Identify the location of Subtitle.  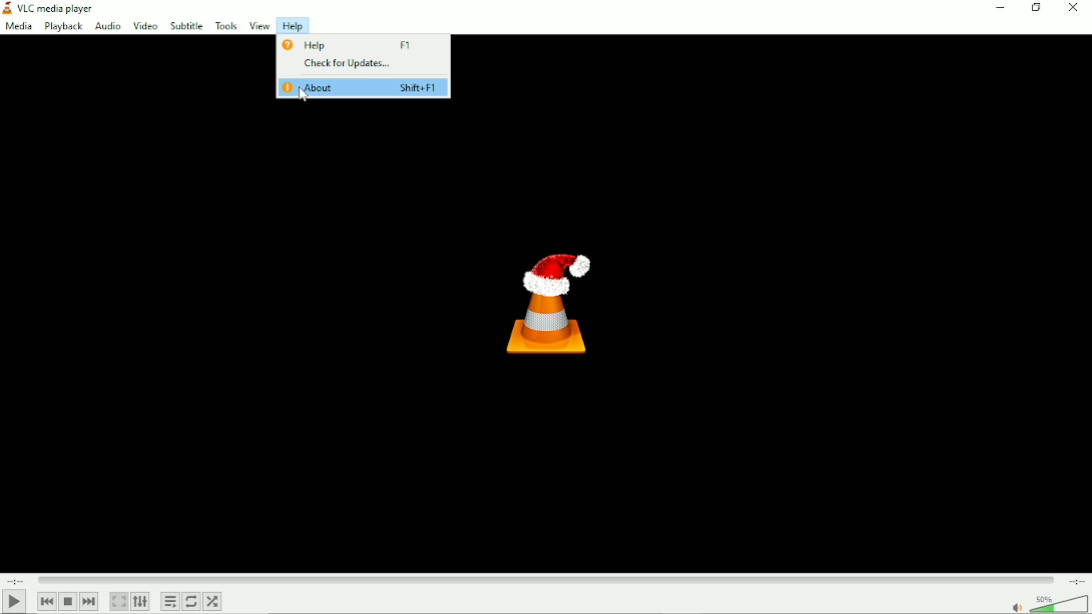
(185, 25).